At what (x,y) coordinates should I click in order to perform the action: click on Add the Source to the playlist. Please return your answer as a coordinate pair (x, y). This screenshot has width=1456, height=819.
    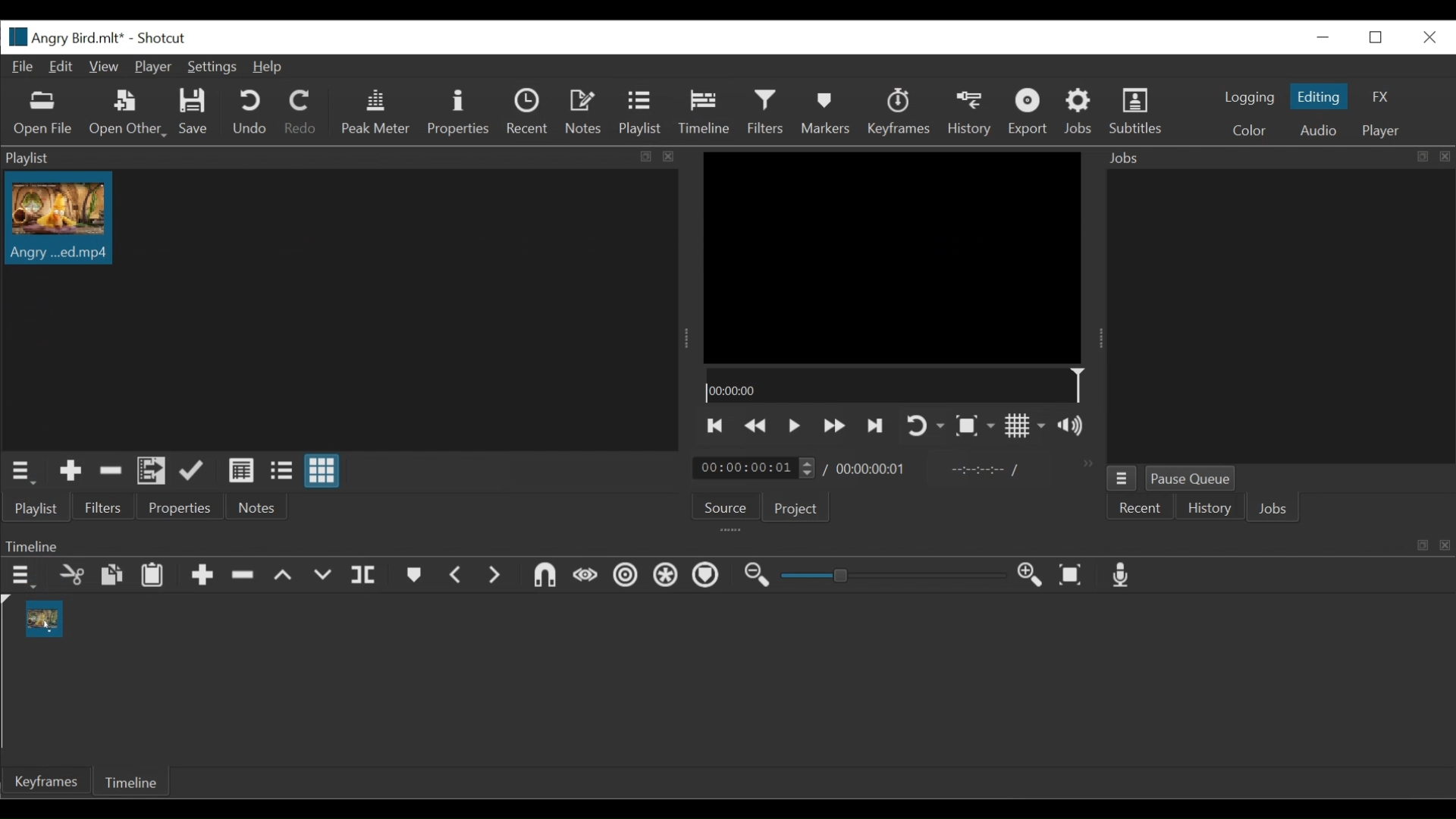
    Looking at the image, I should click on (71, 472).